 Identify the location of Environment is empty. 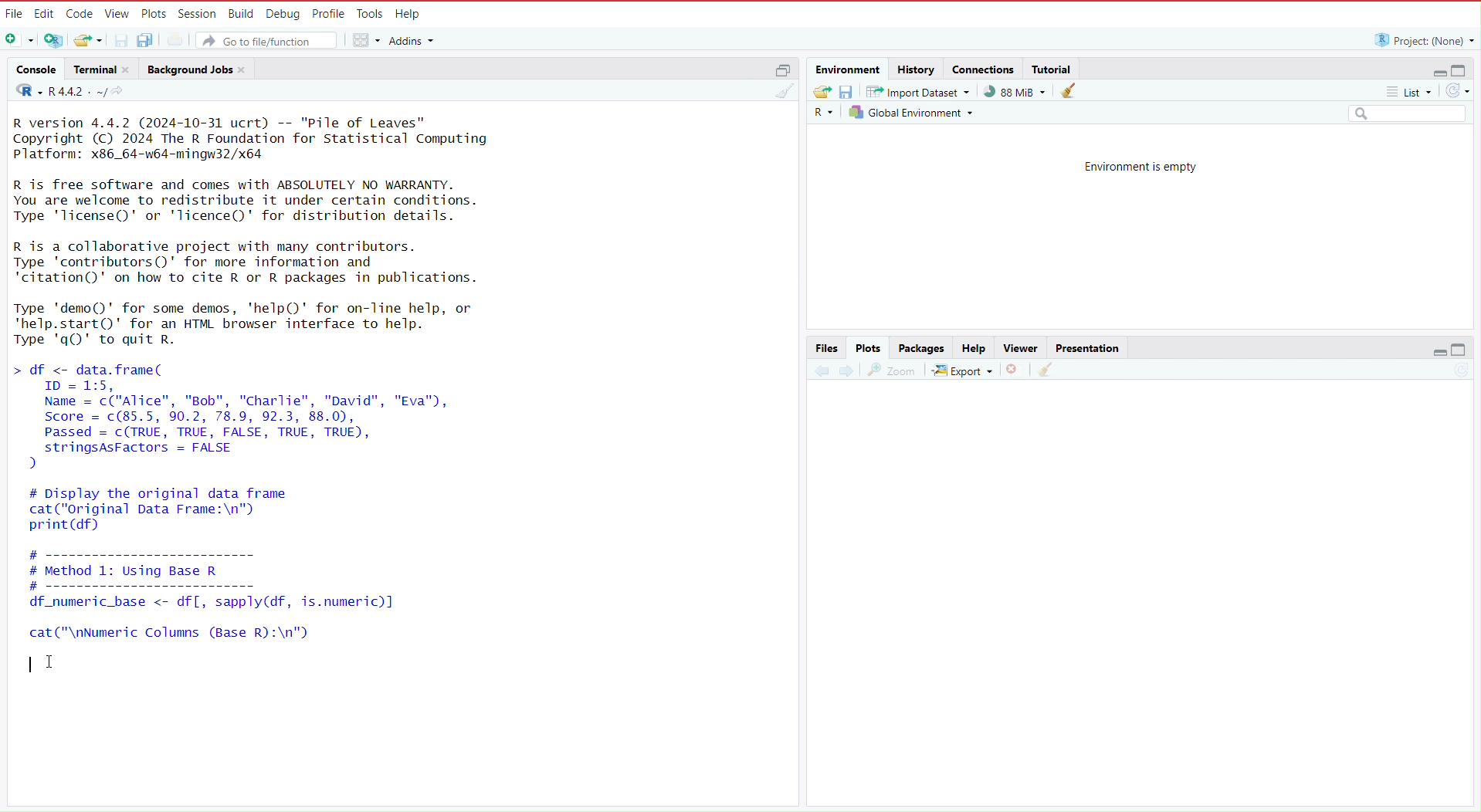
(1140, 169).